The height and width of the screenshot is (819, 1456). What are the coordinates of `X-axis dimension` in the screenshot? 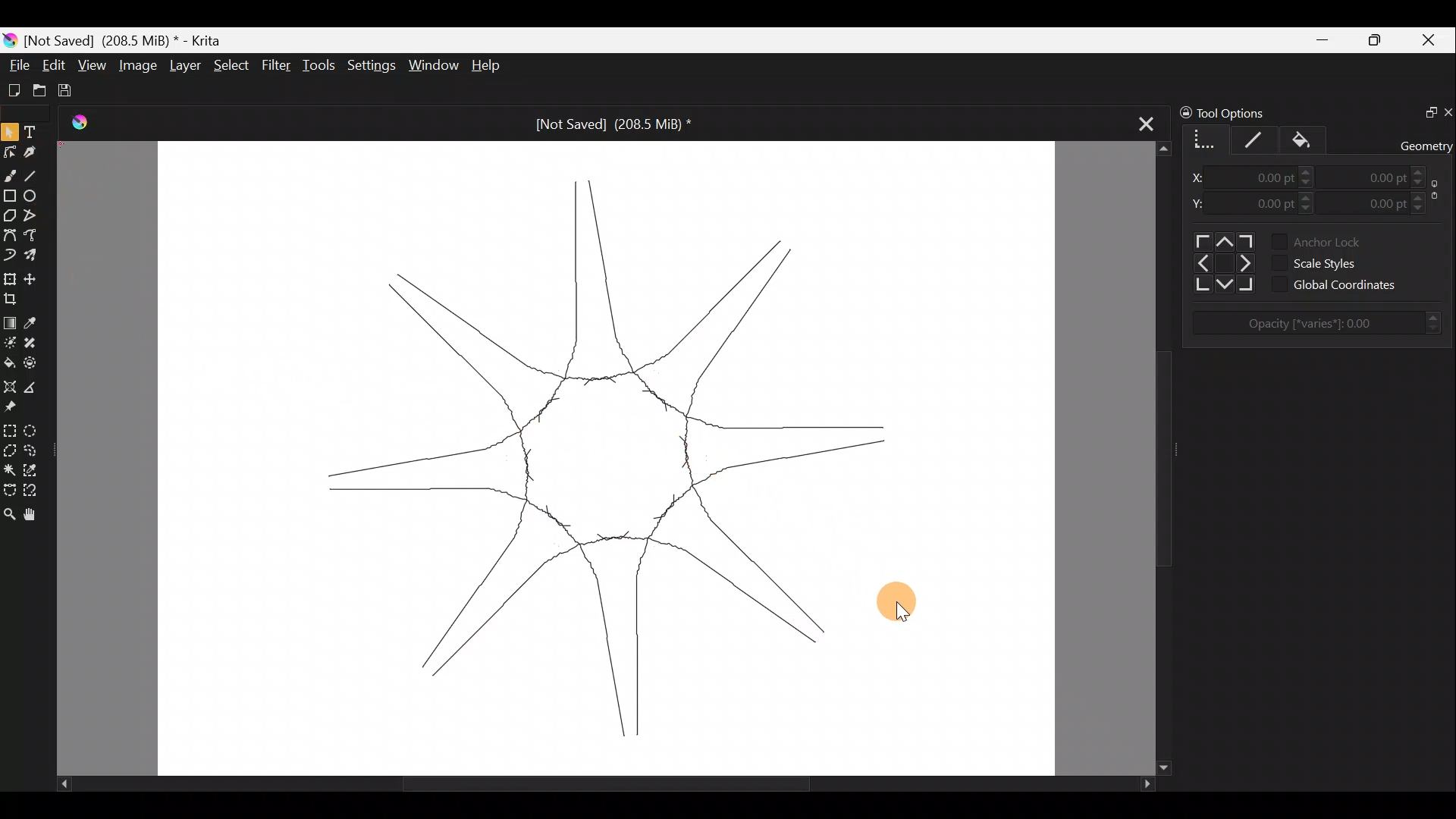 It's located at (1200, 177).